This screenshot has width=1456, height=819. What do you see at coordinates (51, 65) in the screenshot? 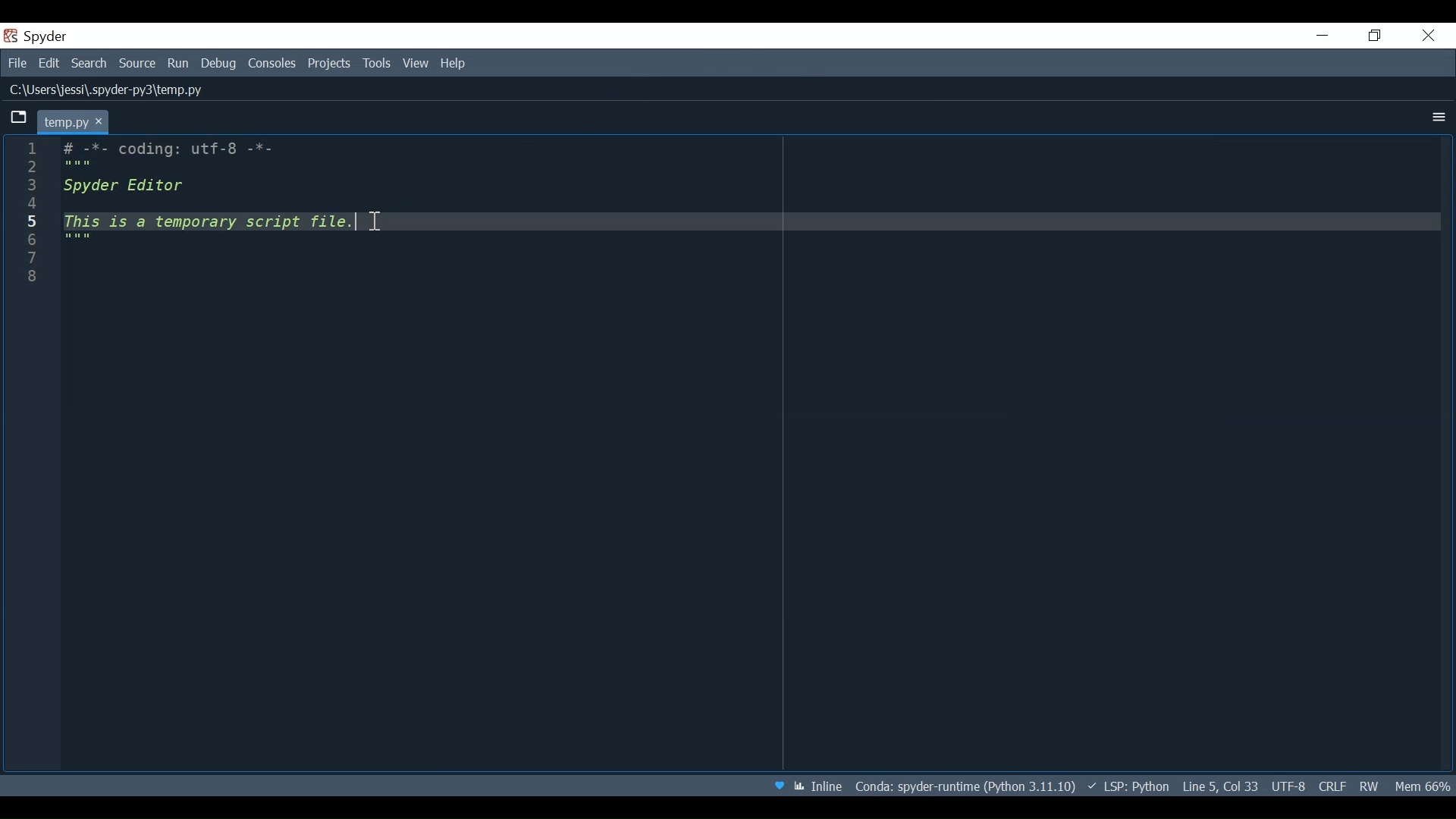
I see `Edit` at bounding box center [51, 65].